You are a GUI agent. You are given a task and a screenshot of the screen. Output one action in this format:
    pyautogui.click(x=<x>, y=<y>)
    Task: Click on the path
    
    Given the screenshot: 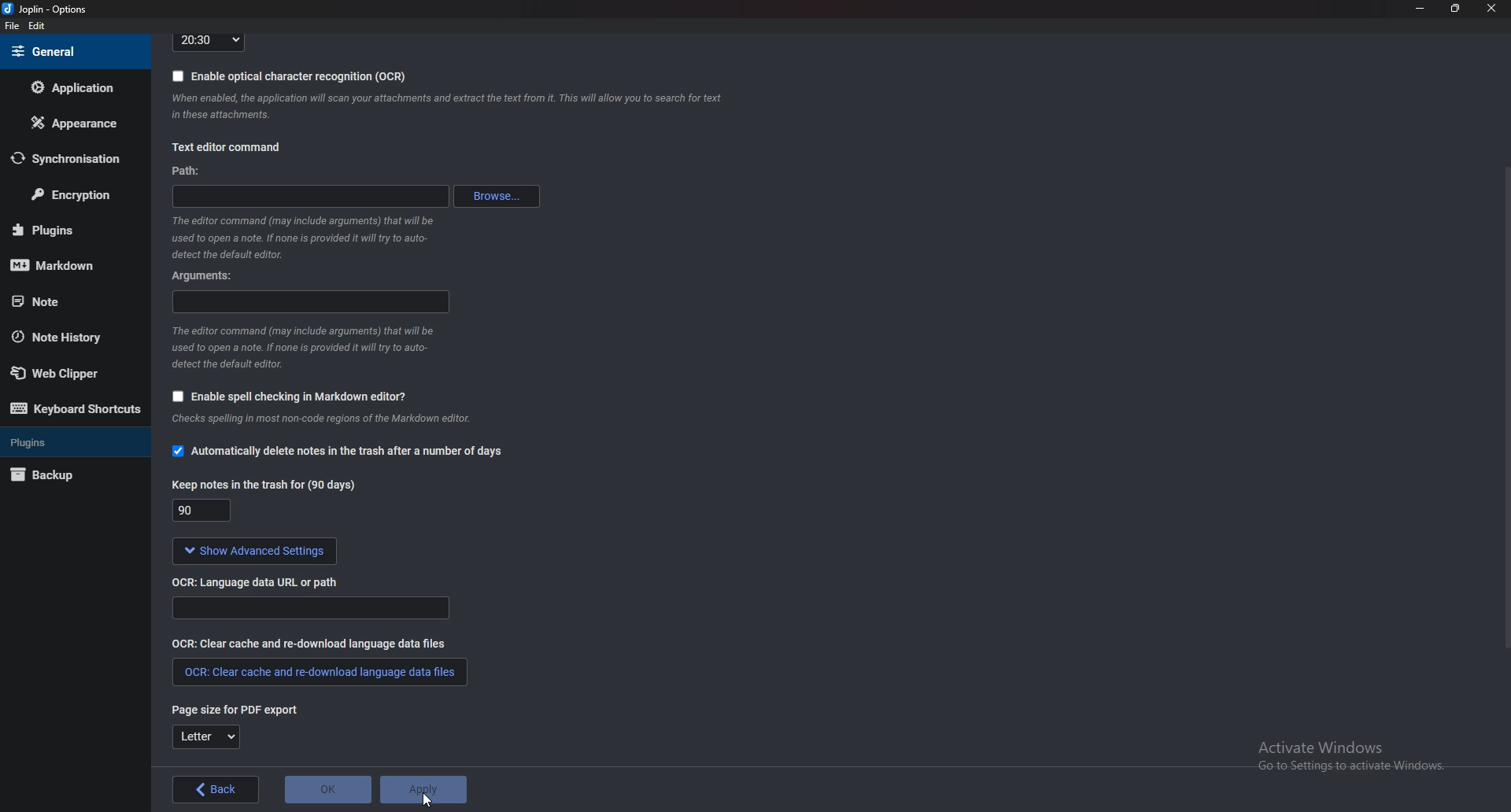 What is the action you would take?
    pyautogui.click(x=316, y=194)
    